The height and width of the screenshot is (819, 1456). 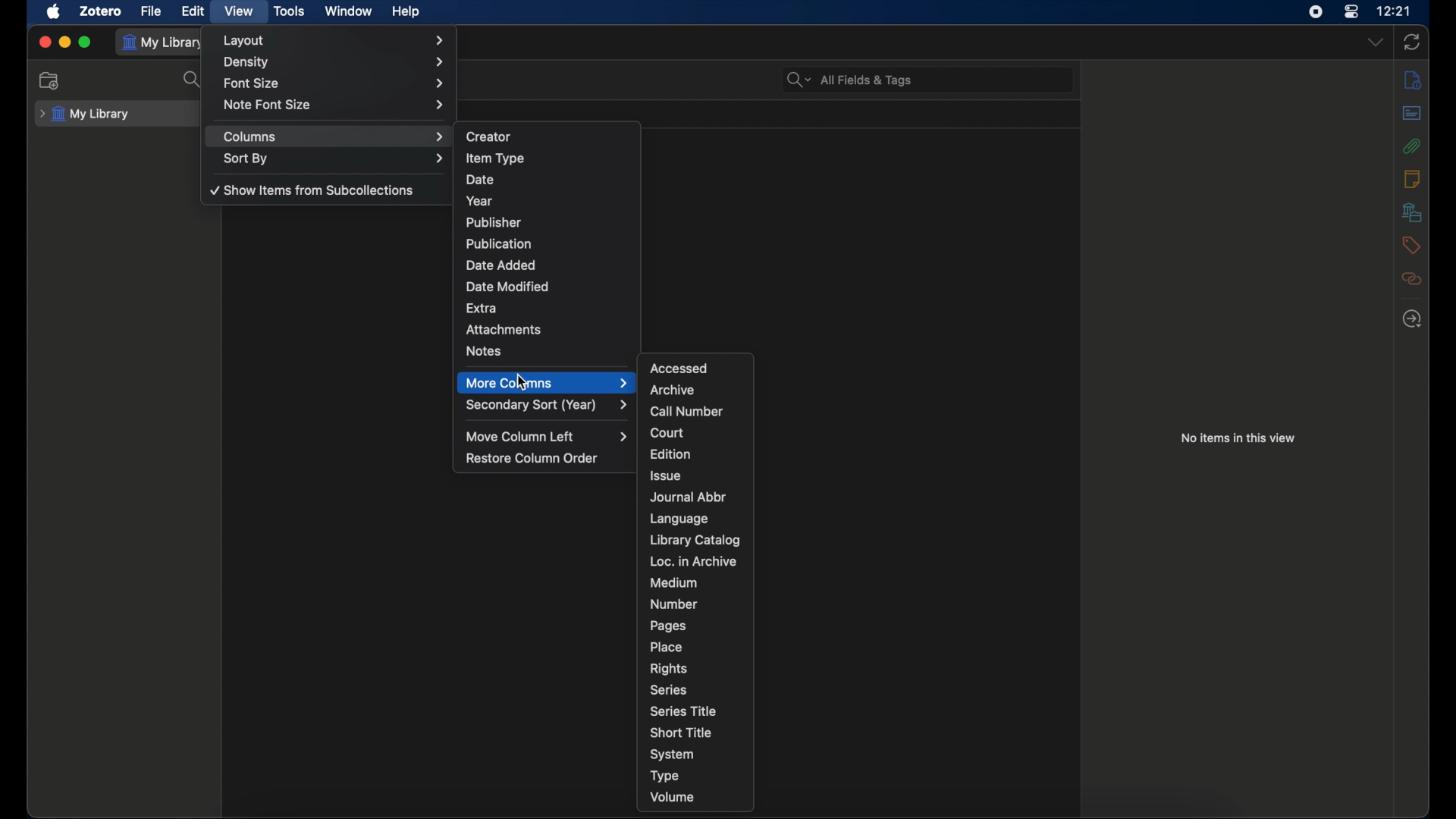 I want to click on volume, so click(x=672, y=798).